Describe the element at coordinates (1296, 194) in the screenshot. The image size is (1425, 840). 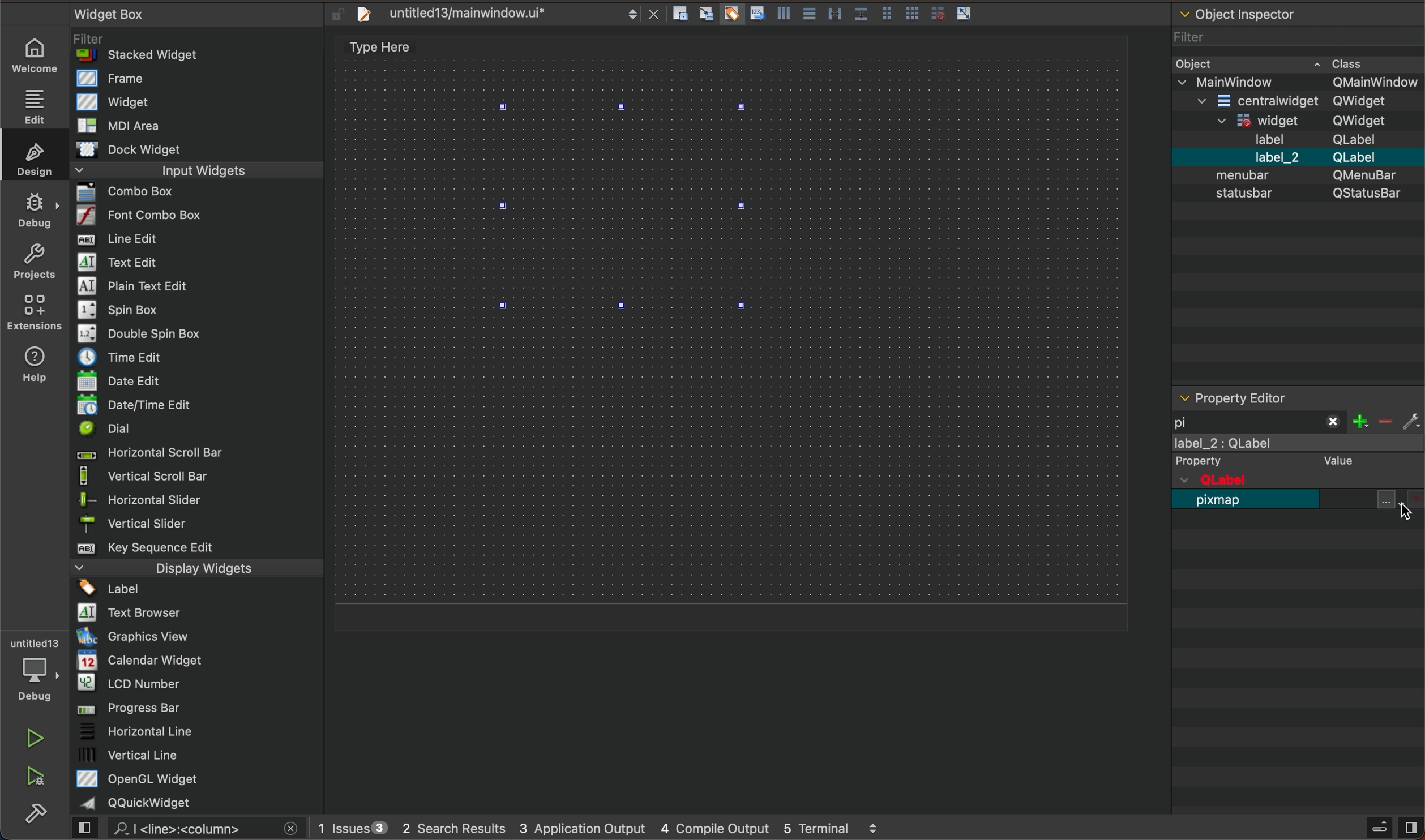
I see `object inspector` at that location.